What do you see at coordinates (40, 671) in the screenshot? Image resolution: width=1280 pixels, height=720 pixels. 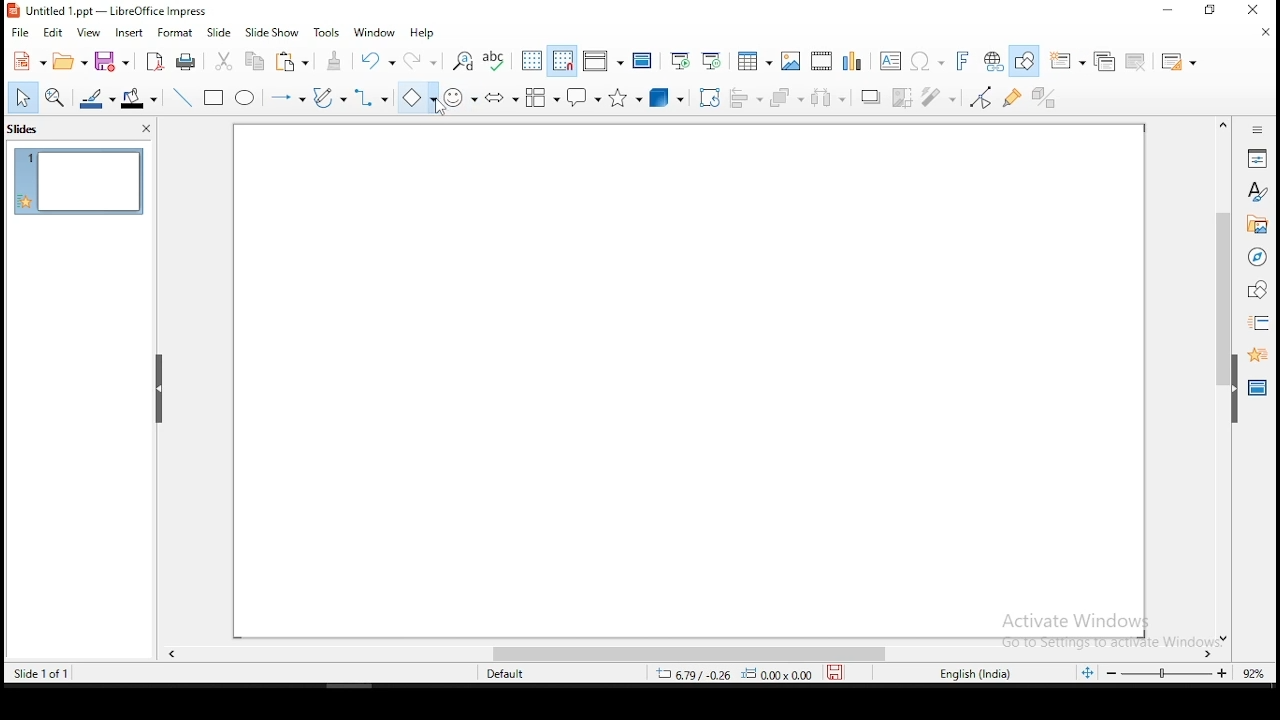 I see `slide 1 of 1` at bounding box center [40, 671].